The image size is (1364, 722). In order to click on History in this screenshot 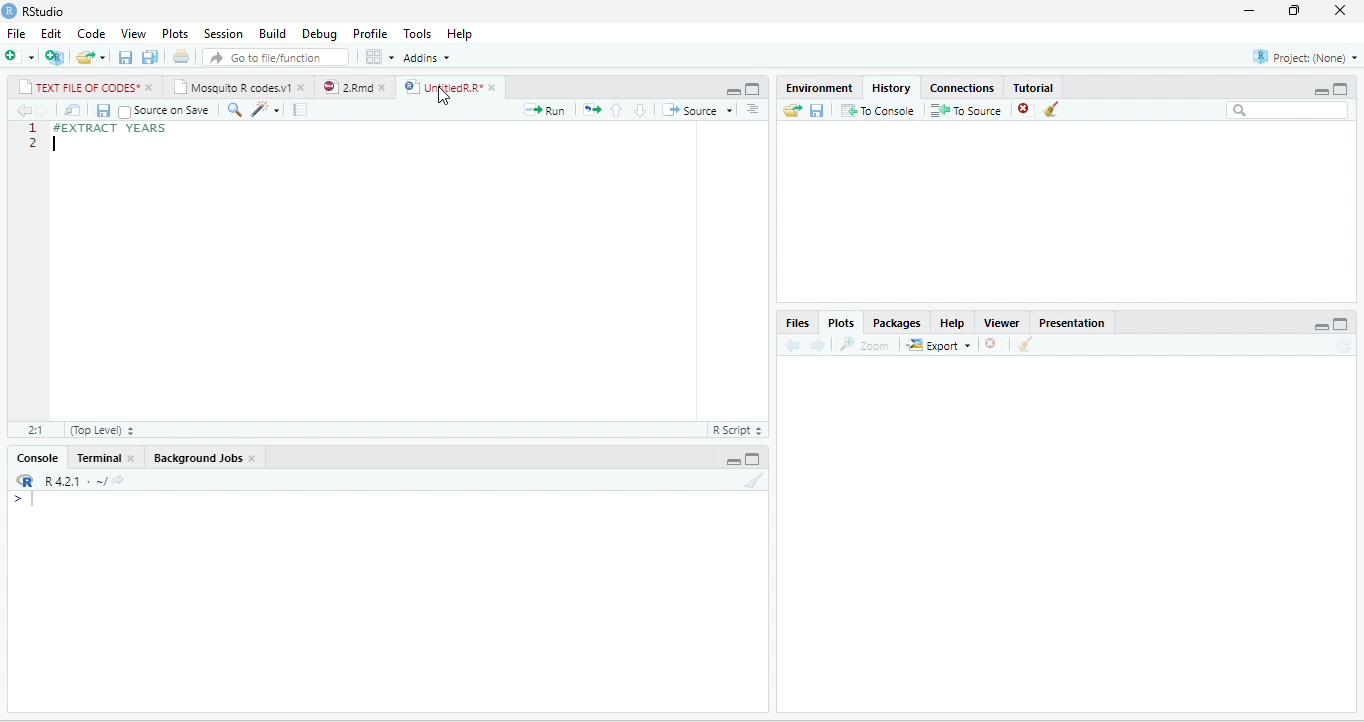, I will do `click(891, 89)`.